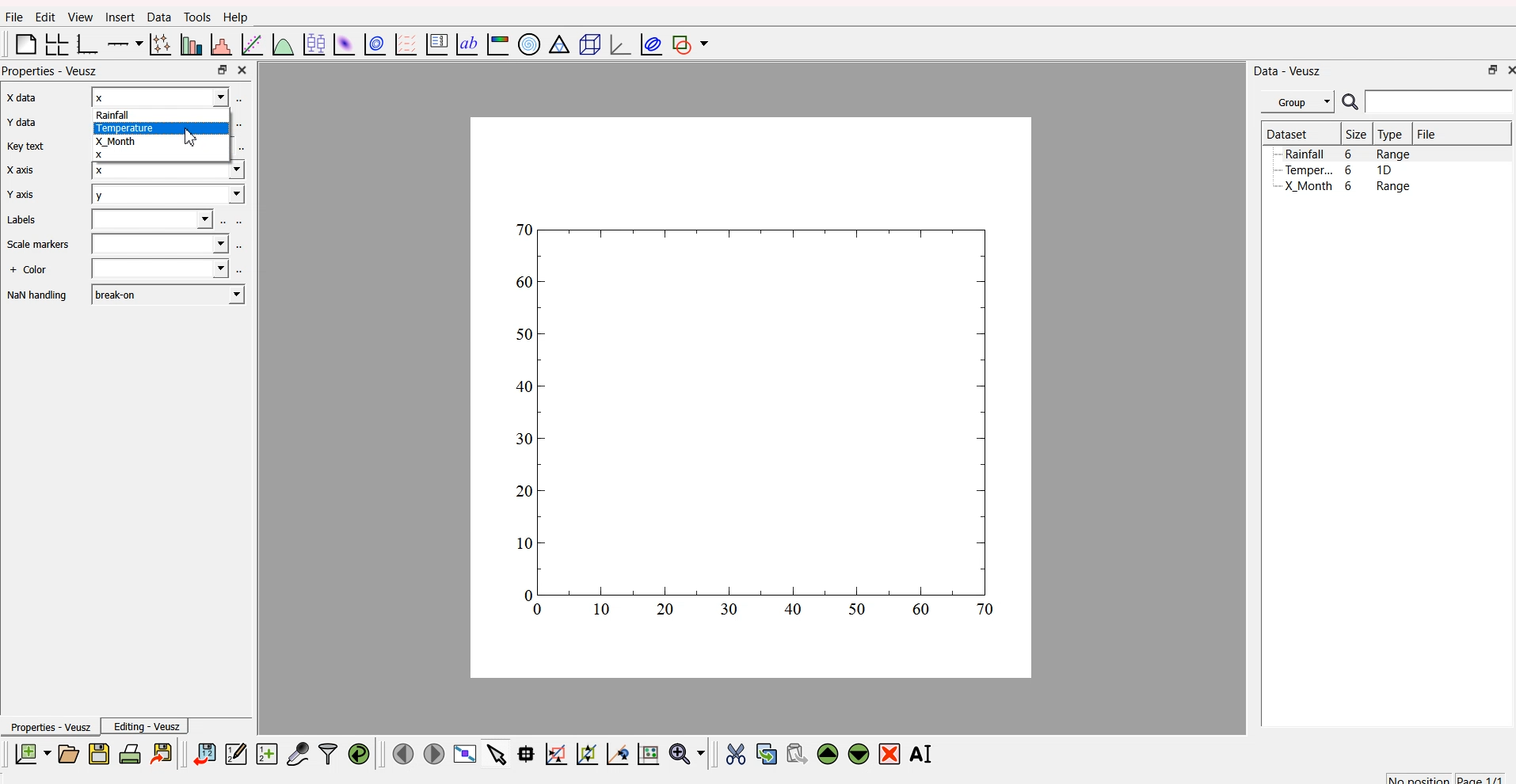  What do you see at coordinates (404, 45) in the screenshot?
I see `plot a vector field` at bounding box center [404, 45].